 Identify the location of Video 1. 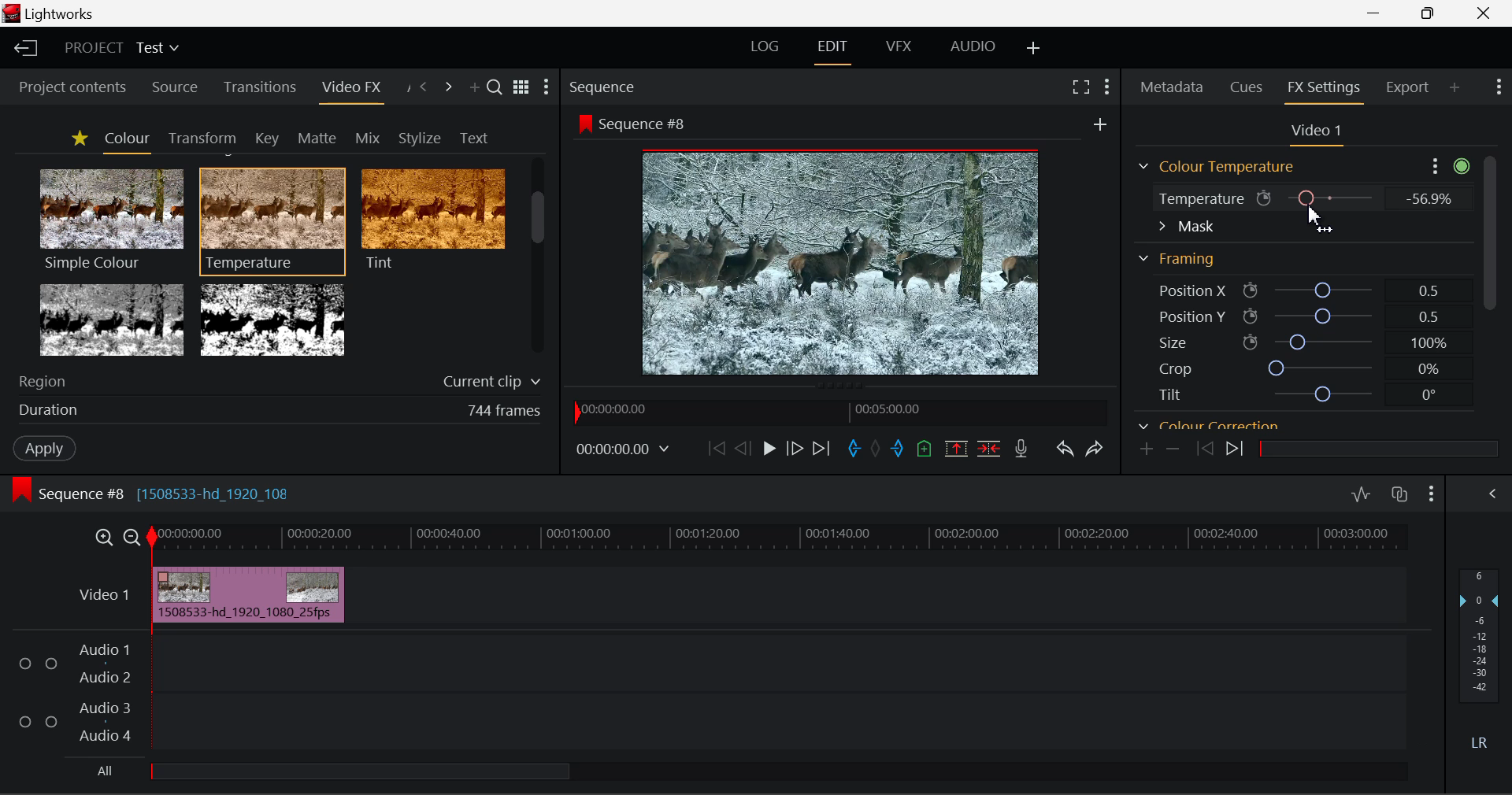
(103, 595).